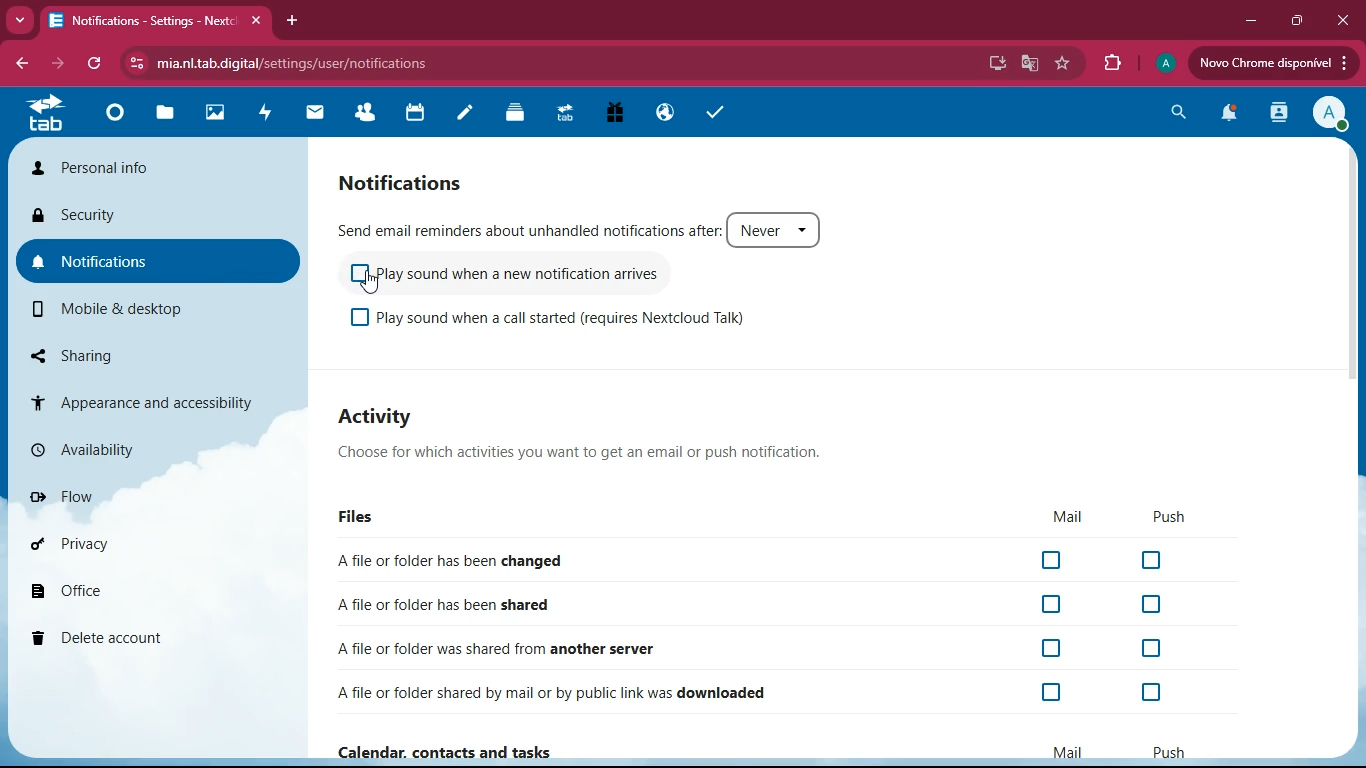  Describe the element at coordinates (521, 114) in the screenshot. I see `layers` at that location.